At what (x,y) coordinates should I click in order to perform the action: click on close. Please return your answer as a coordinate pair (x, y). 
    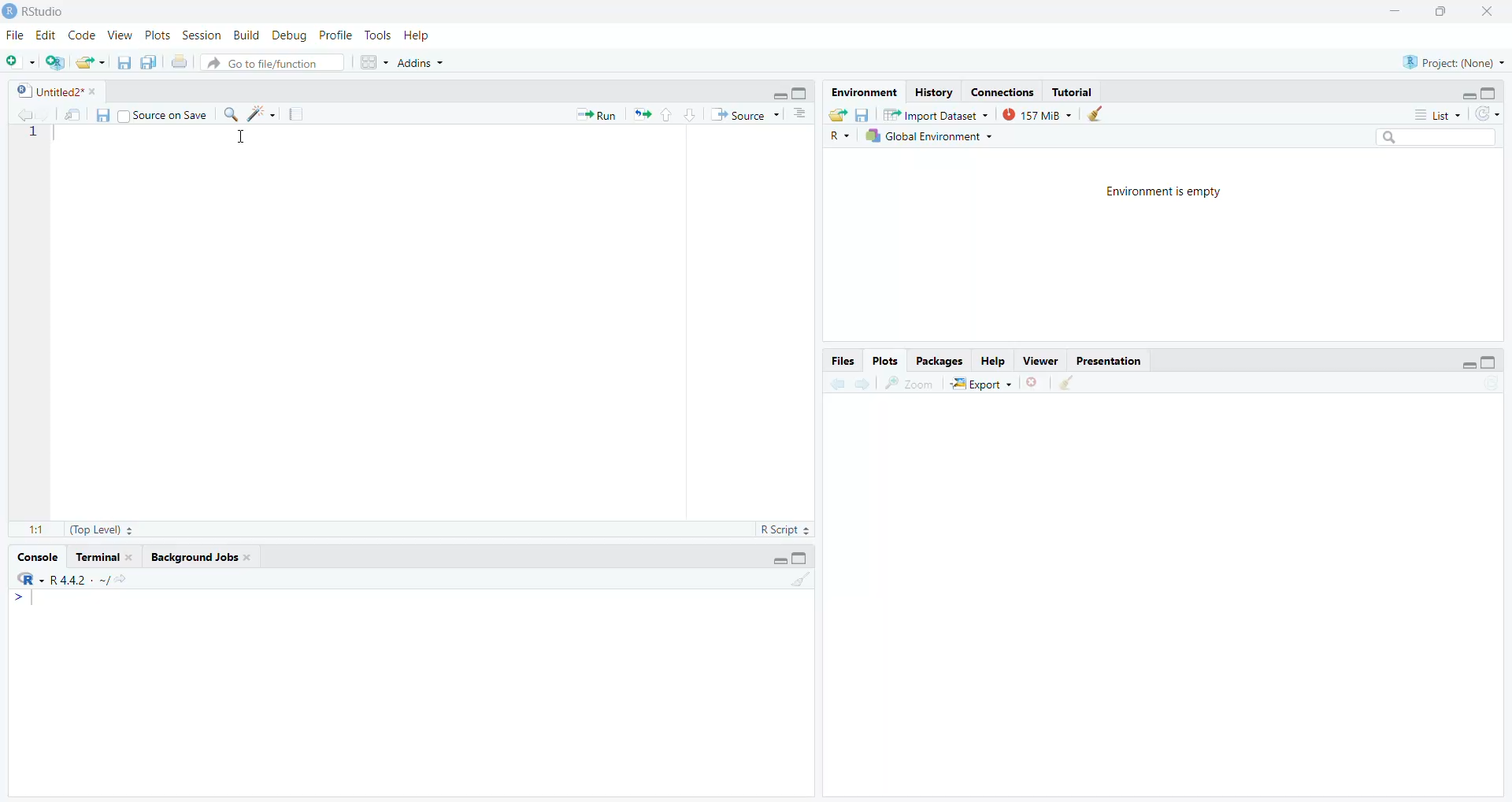
    Looking at the image, I should click on (95, 89).